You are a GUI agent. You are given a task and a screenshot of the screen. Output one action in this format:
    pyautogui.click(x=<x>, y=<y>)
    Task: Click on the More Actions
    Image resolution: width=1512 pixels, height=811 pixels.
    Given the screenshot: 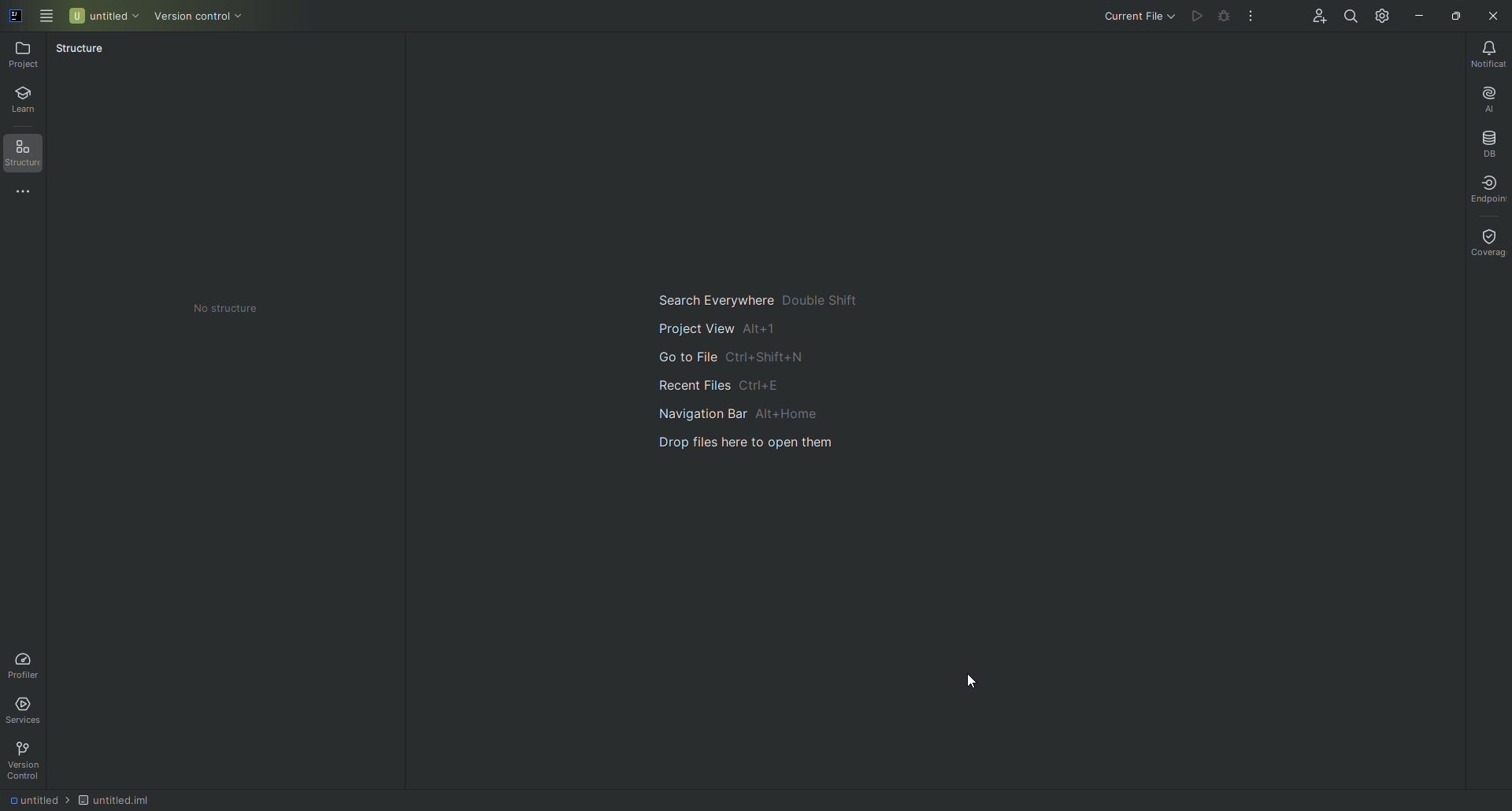 What is the action you would take?
    pyautogui.click(x=1251, y=17)
    